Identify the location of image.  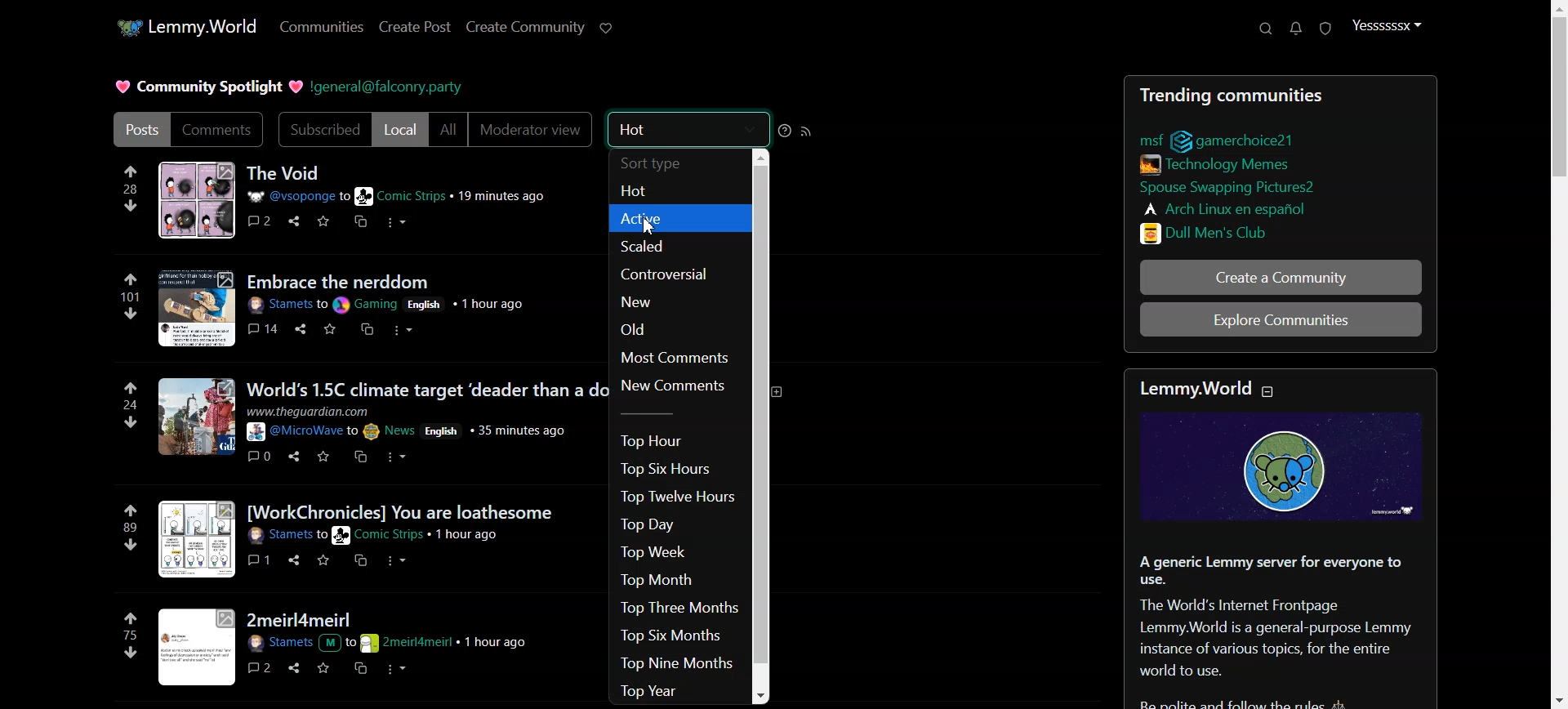
(196, 539).